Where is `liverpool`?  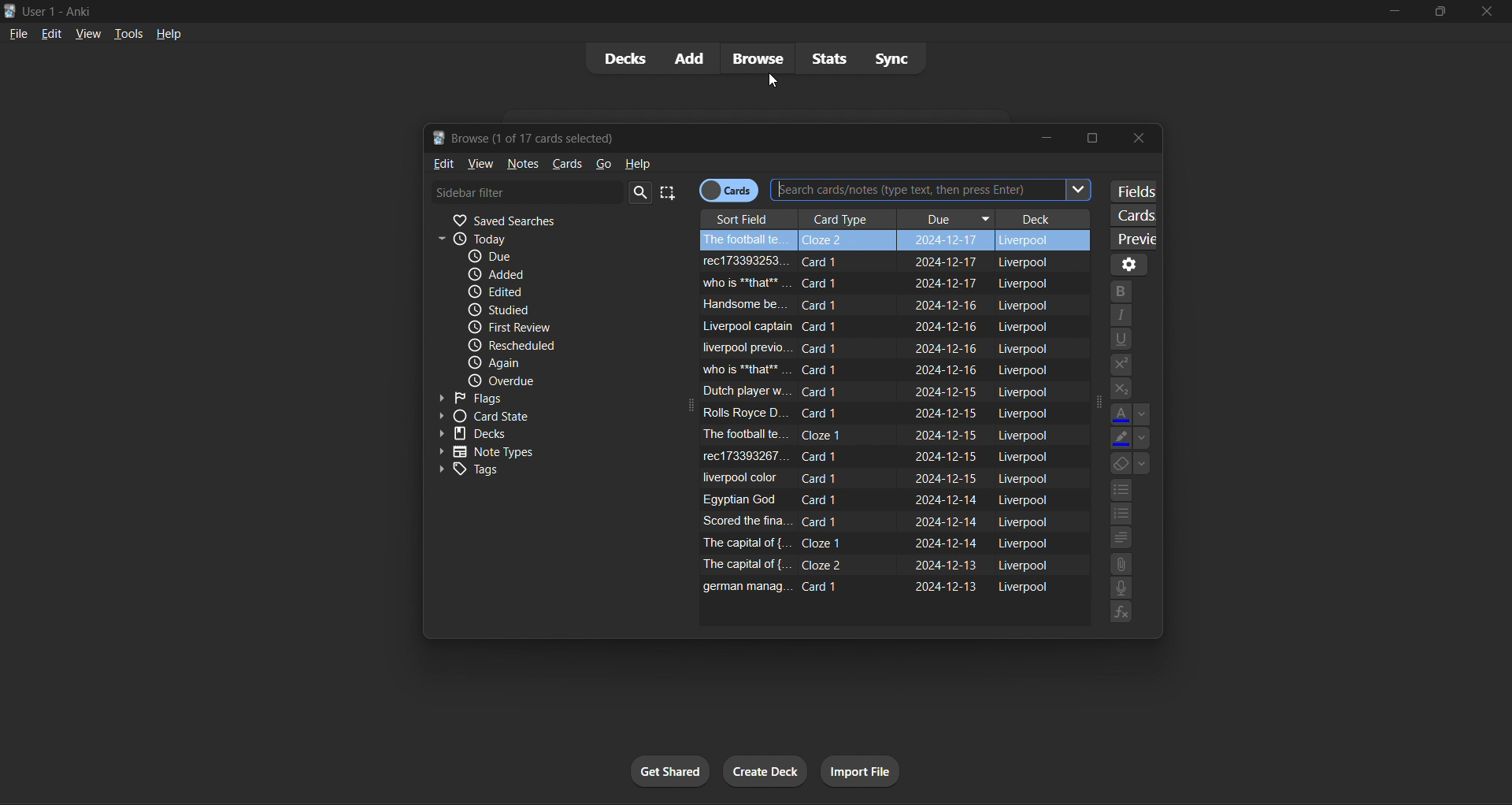 liverpool is located at coordinates (1028, 588).